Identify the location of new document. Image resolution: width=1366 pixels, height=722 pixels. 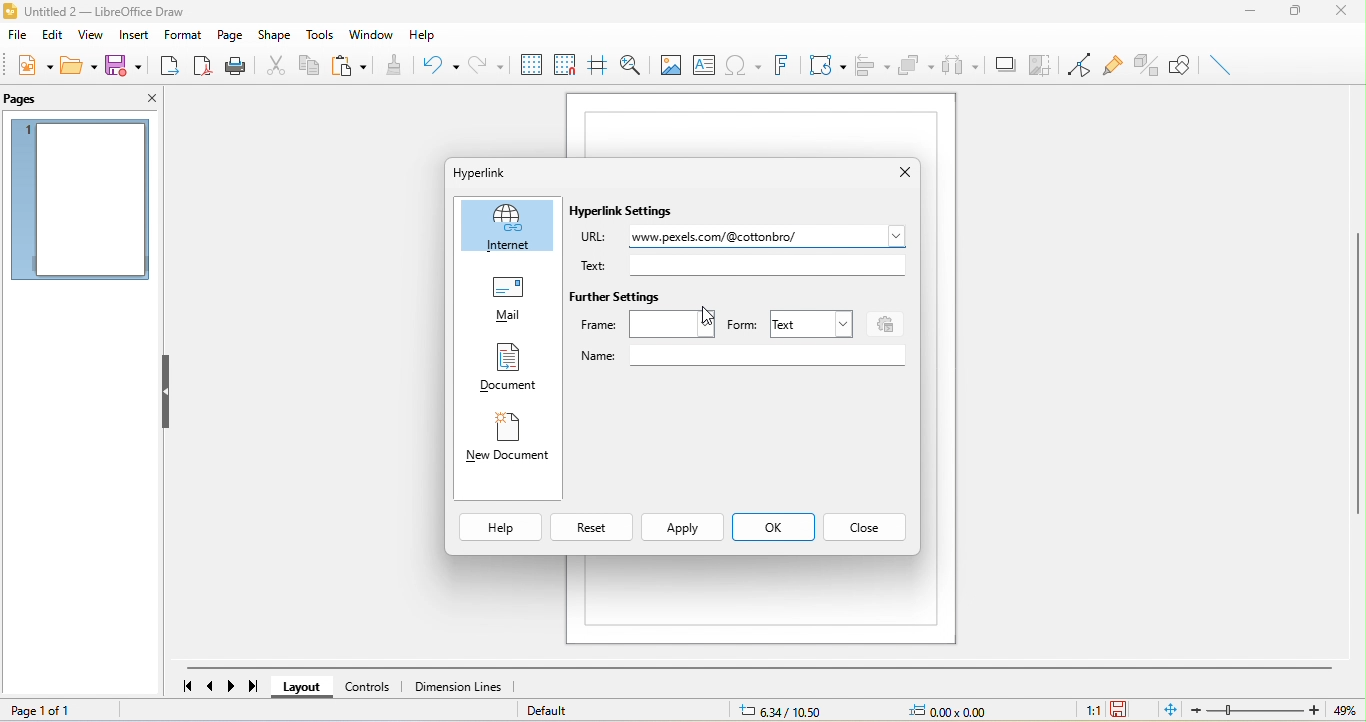
(508, 440).